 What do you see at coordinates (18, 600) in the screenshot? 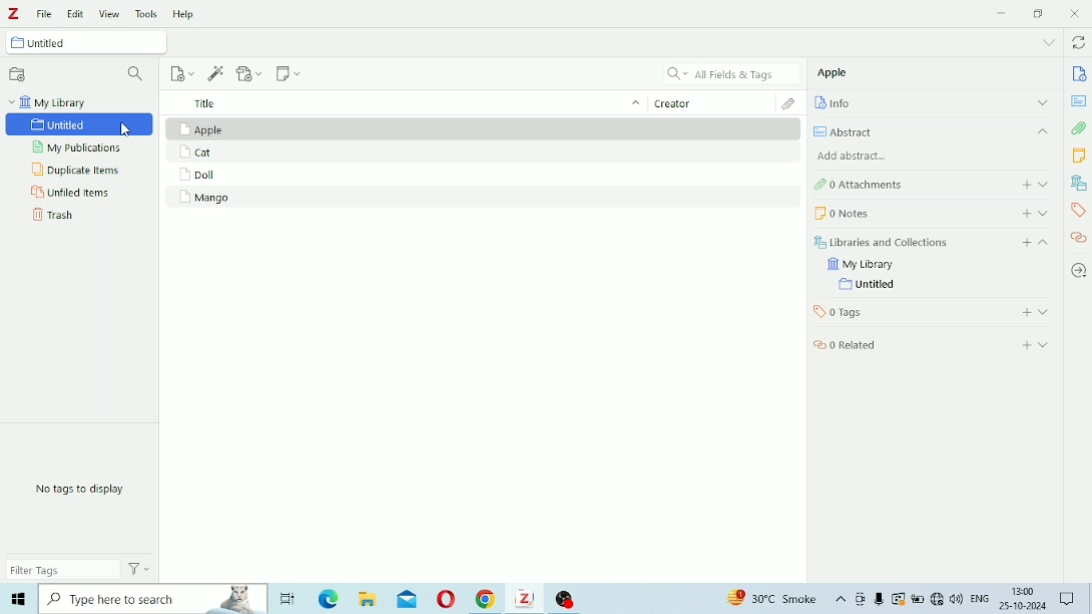
I see `start` at bounding box center [18, 600].